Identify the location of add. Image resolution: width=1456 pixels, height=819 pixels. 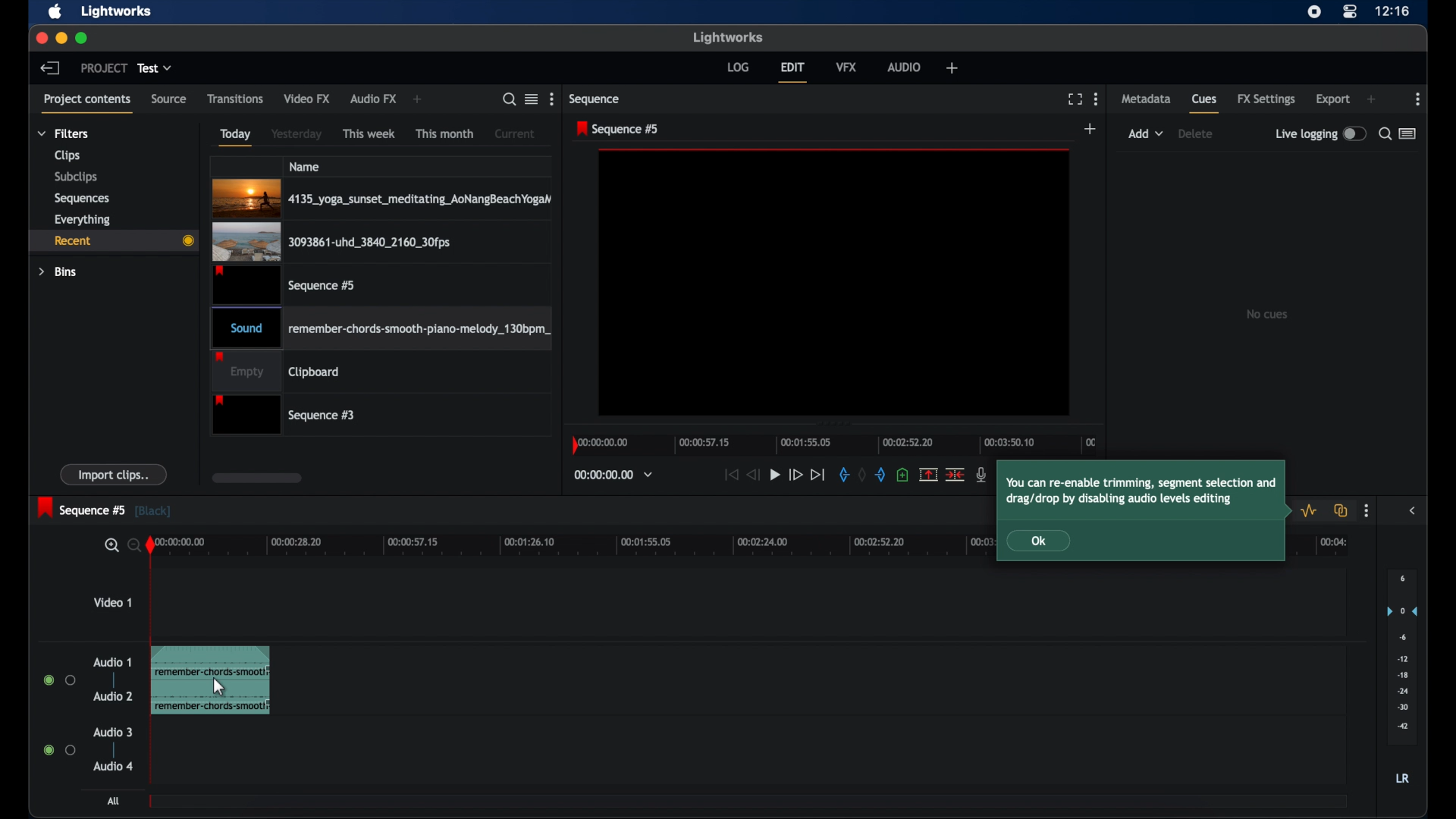
(1371, 99).